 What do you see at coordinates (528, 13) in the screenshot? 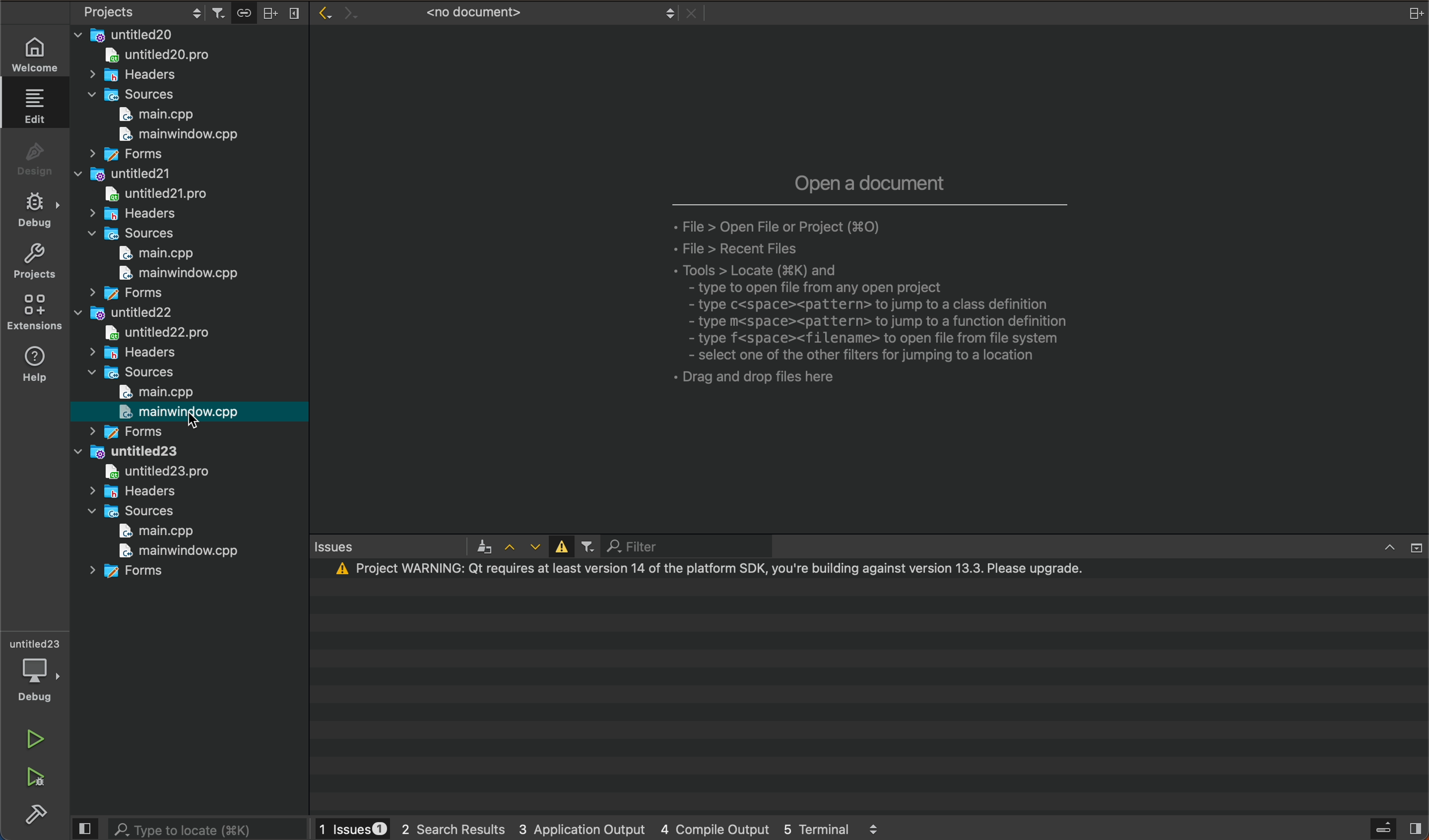
I see `file tab` at bounding box center [528, 13].